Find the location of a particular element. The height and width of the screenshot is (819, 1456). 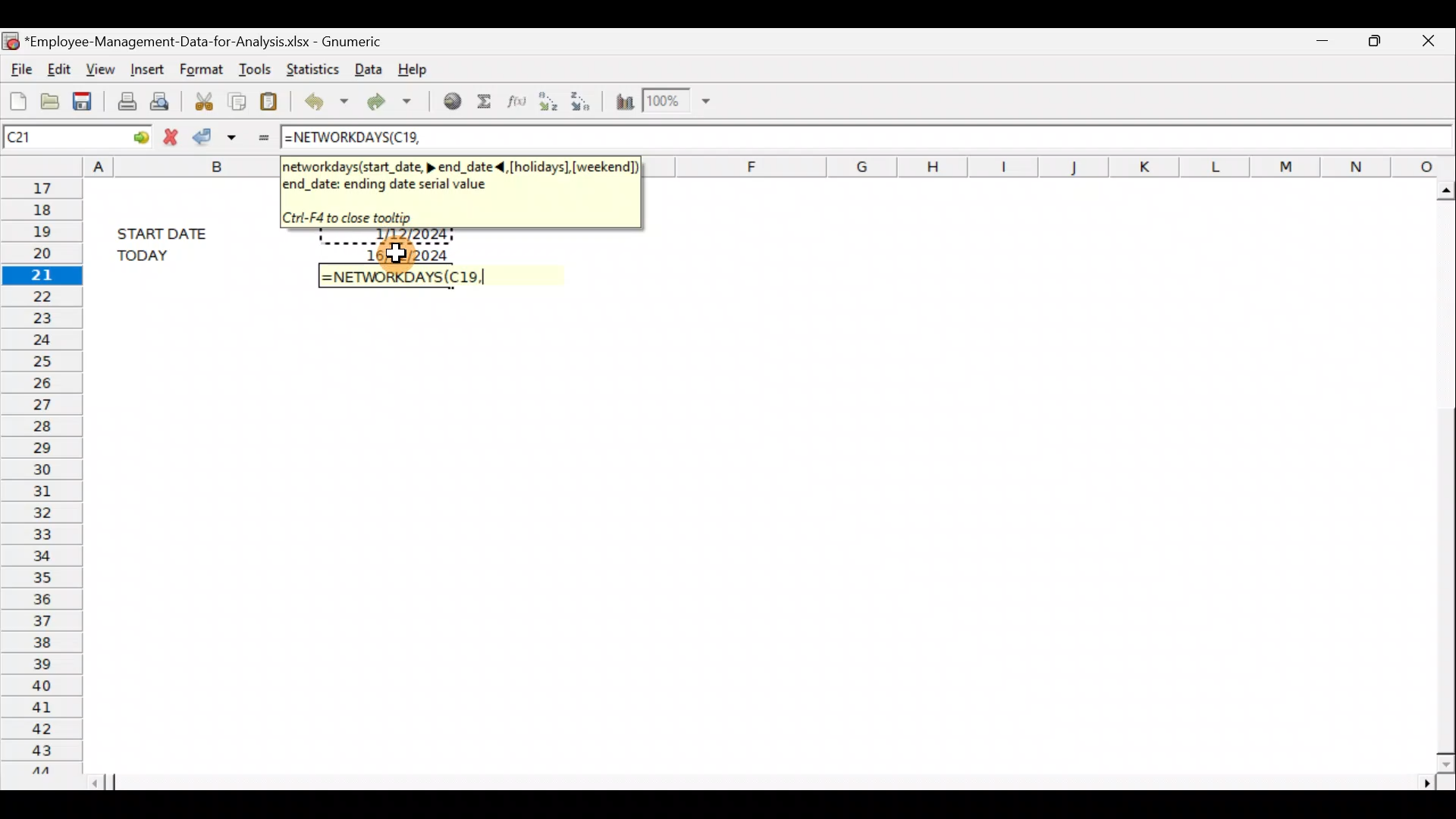

Cell name C21 is located at coordinates (49, 136).